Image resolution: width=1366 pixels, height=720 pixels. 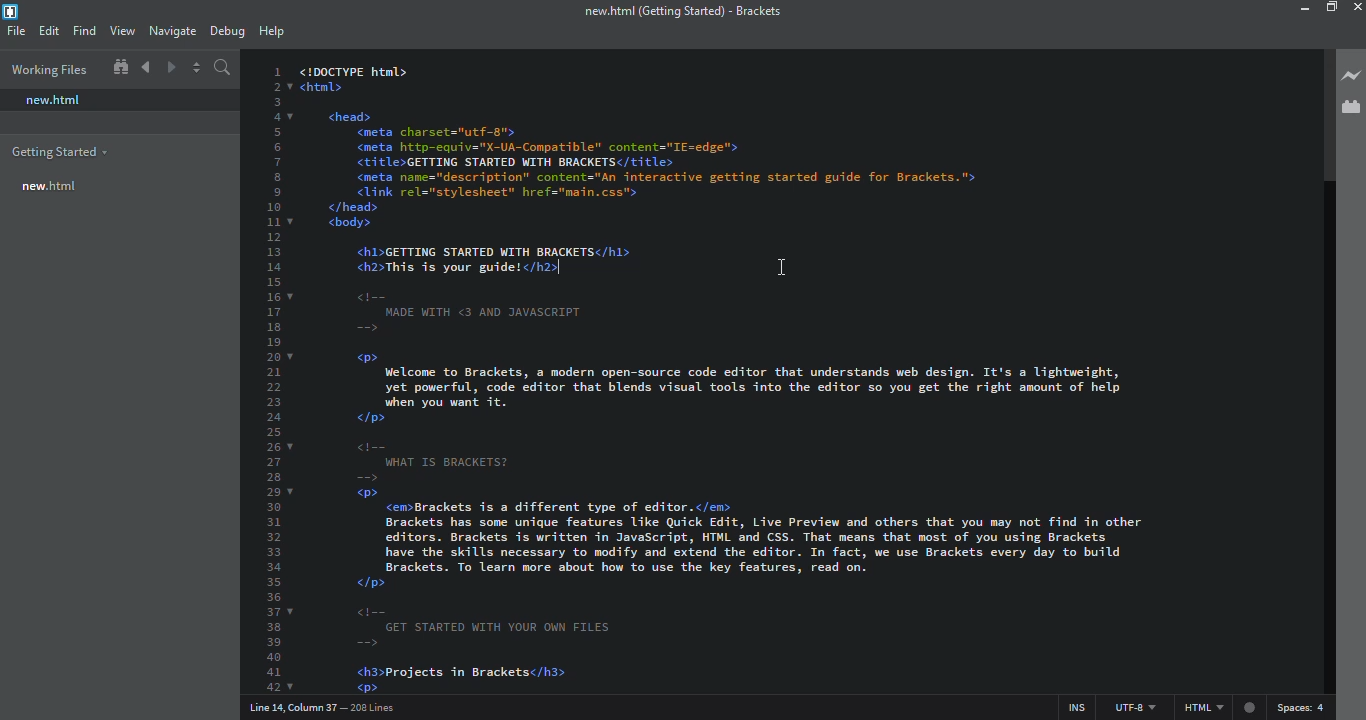 What do you see at coordinates (1323, 123) in the screenshot?
I see `scroll bar` at bounding box center [1323, 123].